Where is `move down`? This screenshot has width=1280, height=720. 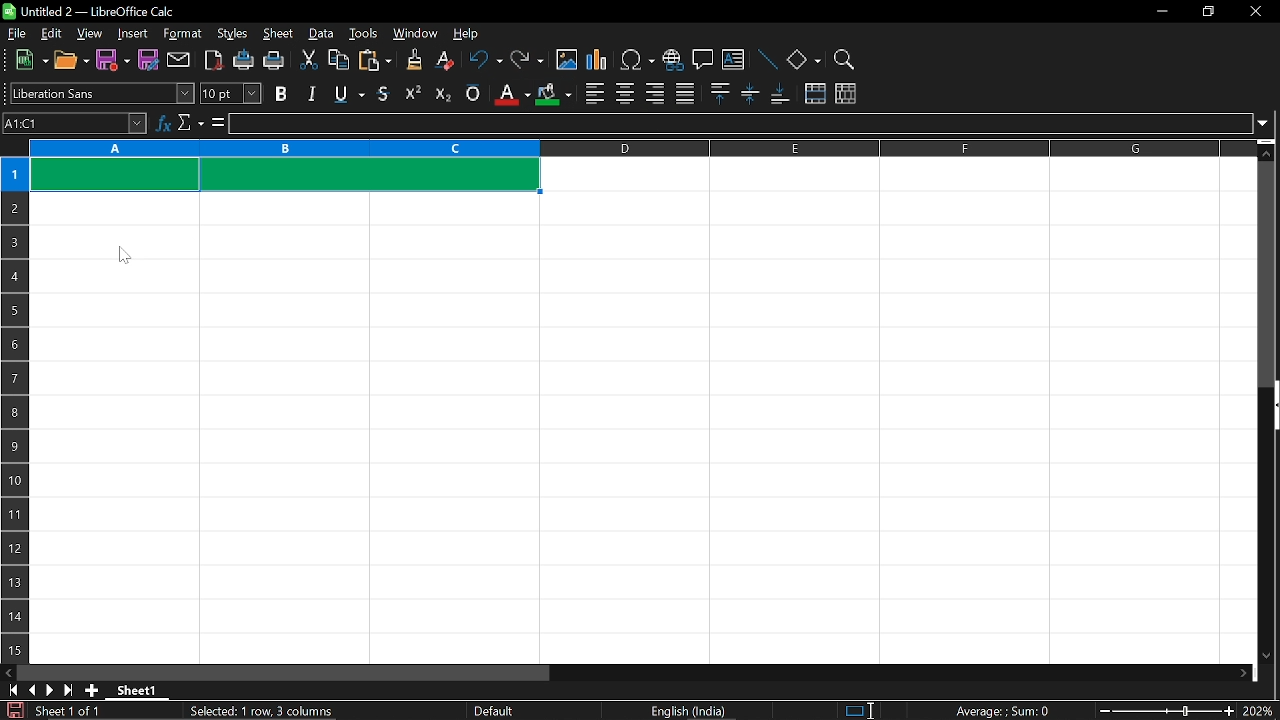
move down is located at coordinates (1270, 657).